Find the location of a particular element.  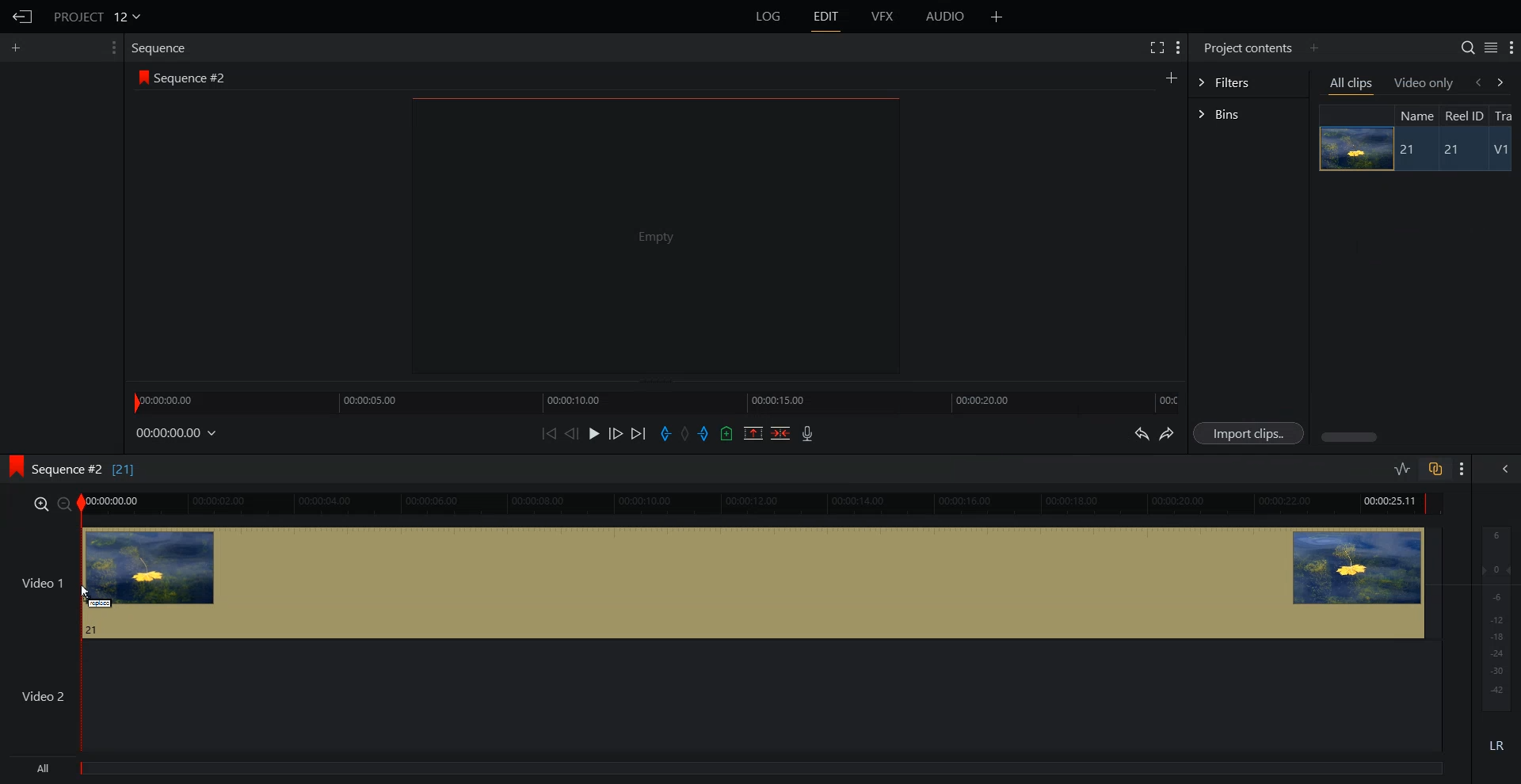

Toggle auto track sync is located at coordinates (1435, 468).